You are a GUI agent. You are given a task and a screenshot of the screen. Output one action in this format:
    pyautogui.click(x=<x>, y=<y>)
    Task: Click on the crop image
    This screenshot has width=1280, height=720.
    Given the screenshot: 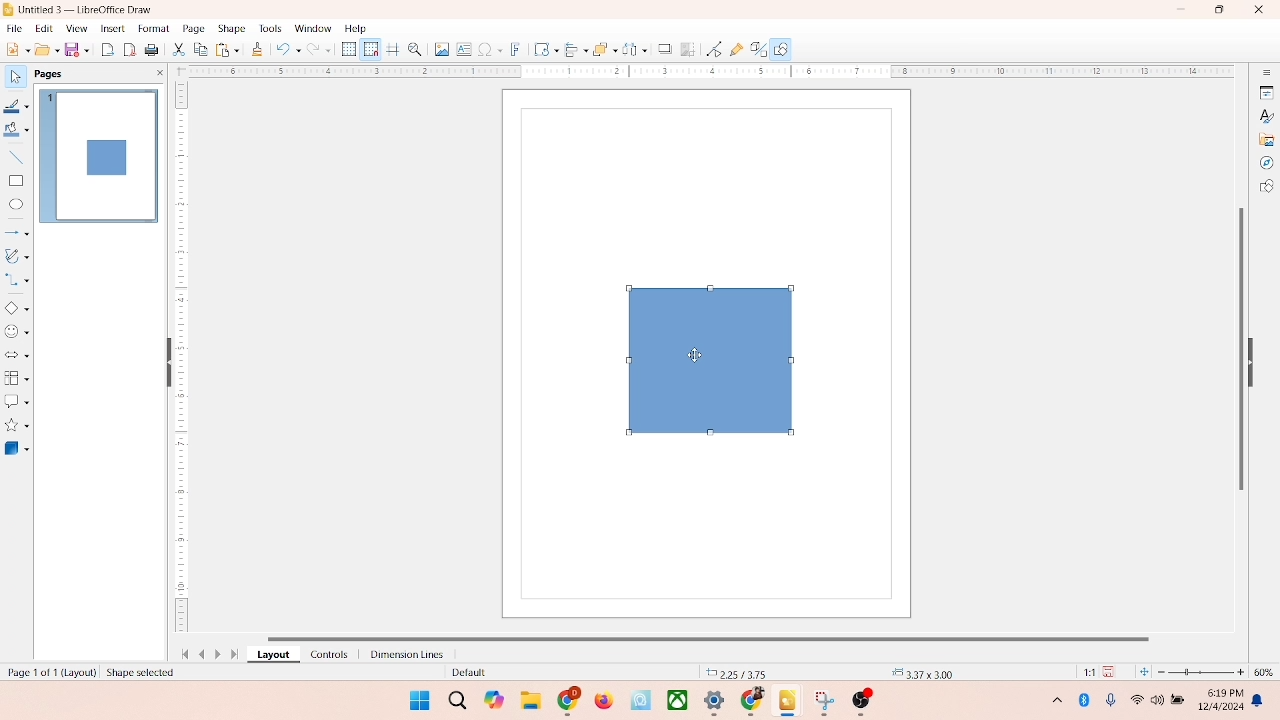 What is the action you would take?
    pyautogui.click(x=688, y=49)
    